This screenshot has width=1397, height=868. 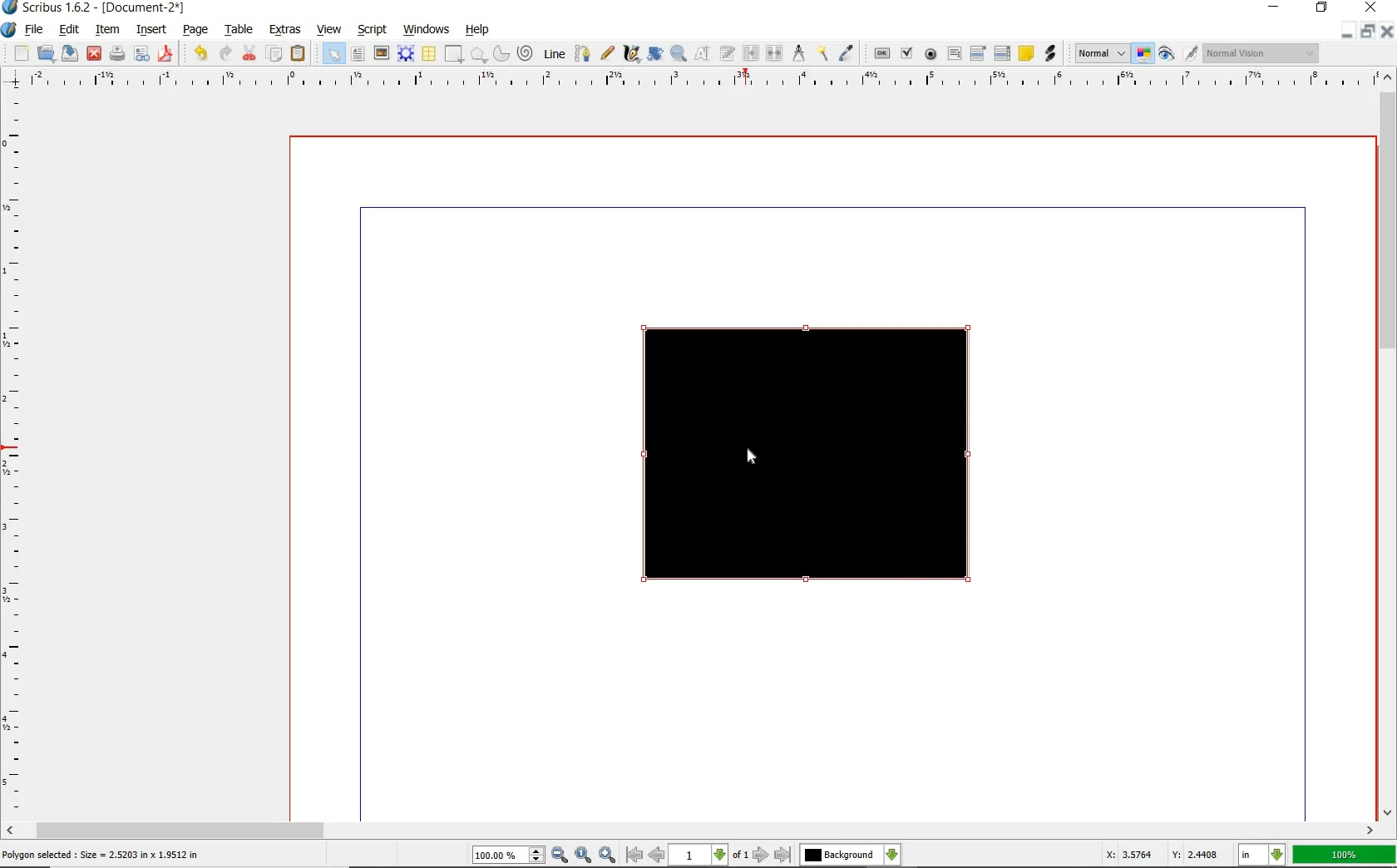 What do you see at coordinates (1345, 36) in the screenshot?
I see `MINIMIZE` at bounding box center [1345, 36].